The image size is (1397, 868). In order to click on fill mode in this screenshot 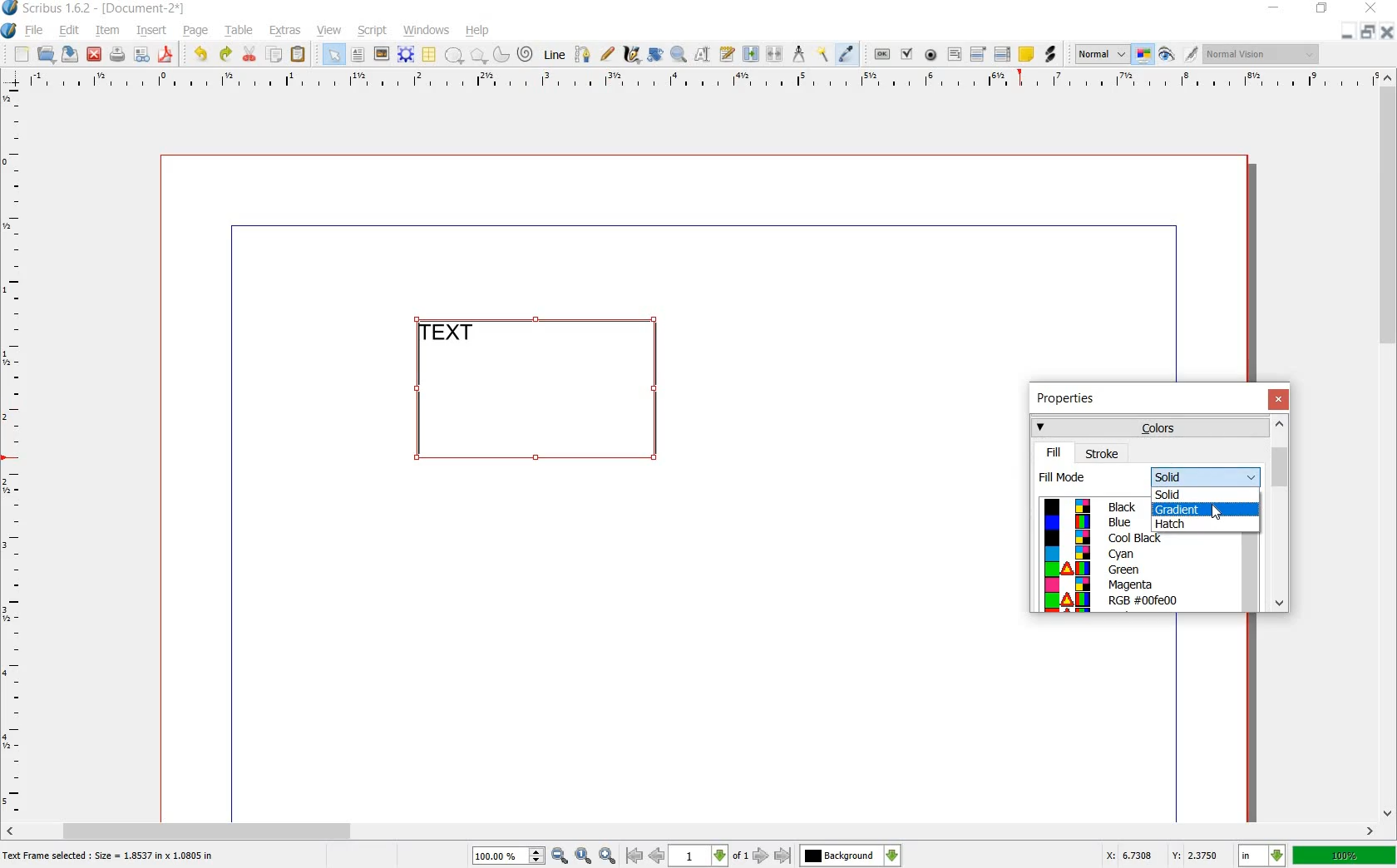, I will do `click(1091, 476)`.